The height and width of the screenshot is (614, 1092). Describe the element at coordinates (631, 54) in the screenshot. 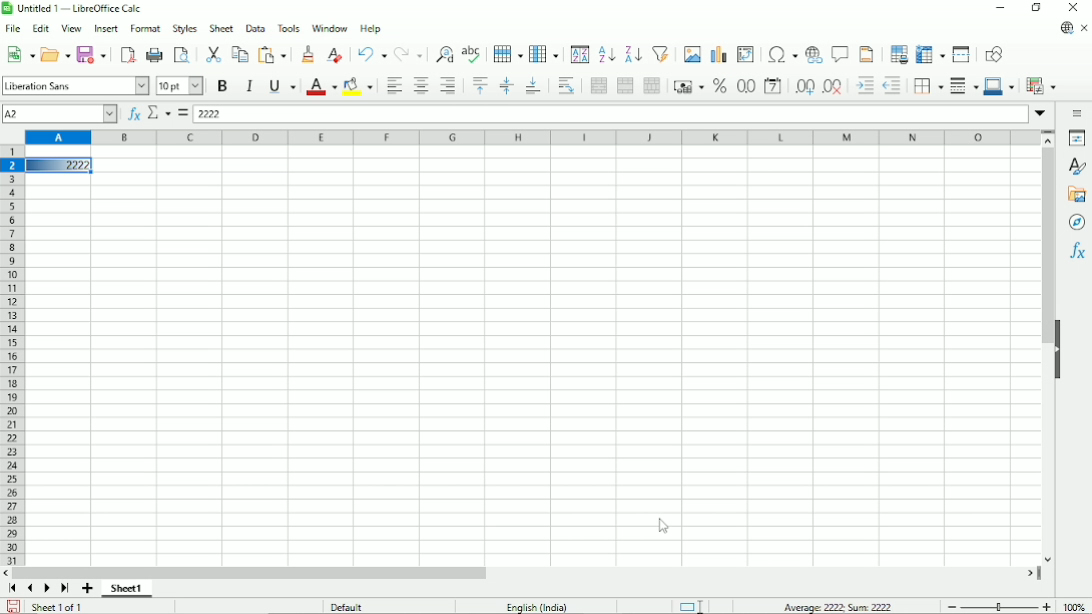

I see `Sort descending` at that location.